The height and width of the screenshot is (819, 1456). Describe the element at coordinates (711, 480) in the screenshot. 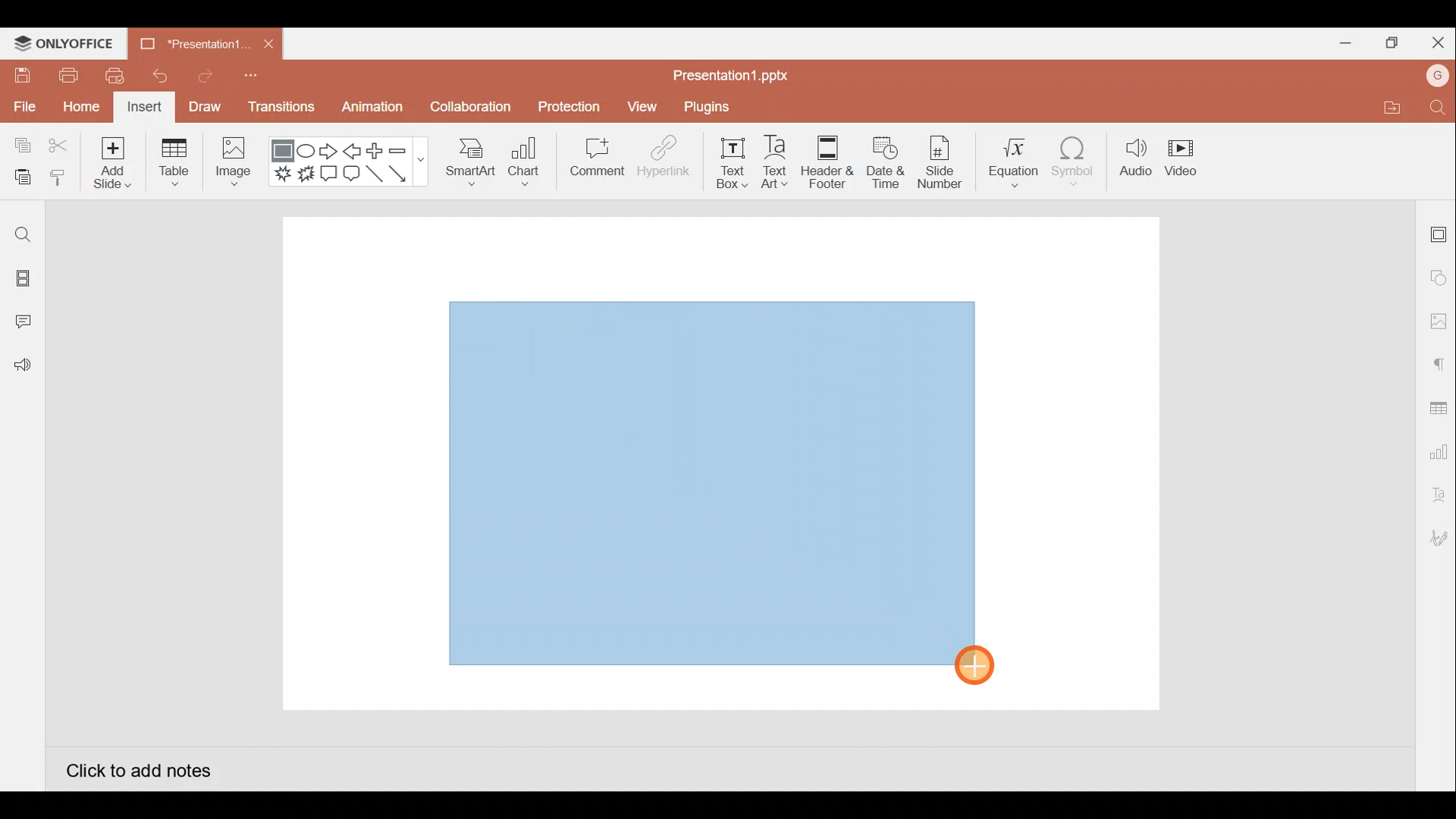

I see `Inserted rectangle shape on presentation slide` at that location.